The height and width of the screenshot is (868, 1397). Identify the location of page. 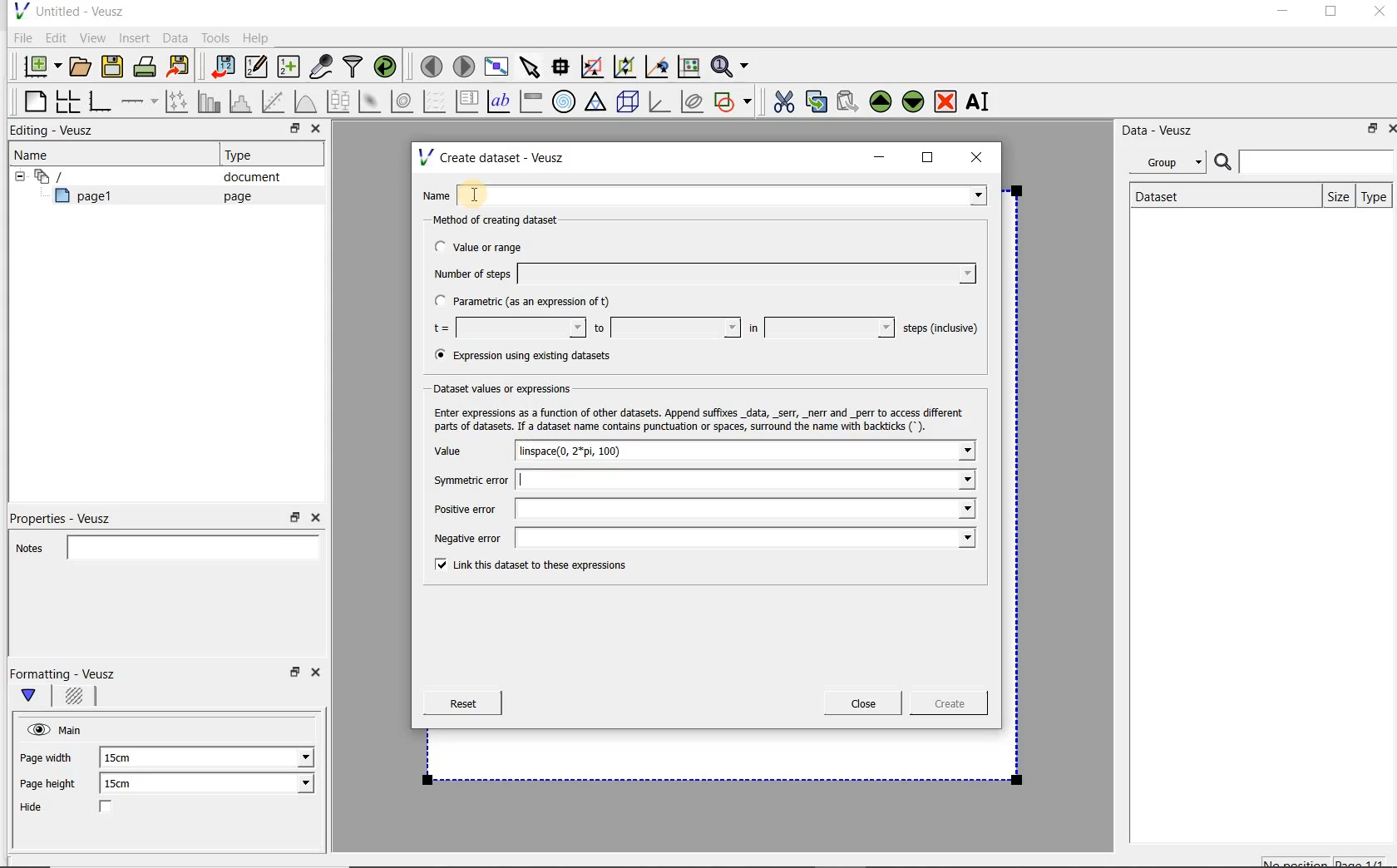
(234, 196).